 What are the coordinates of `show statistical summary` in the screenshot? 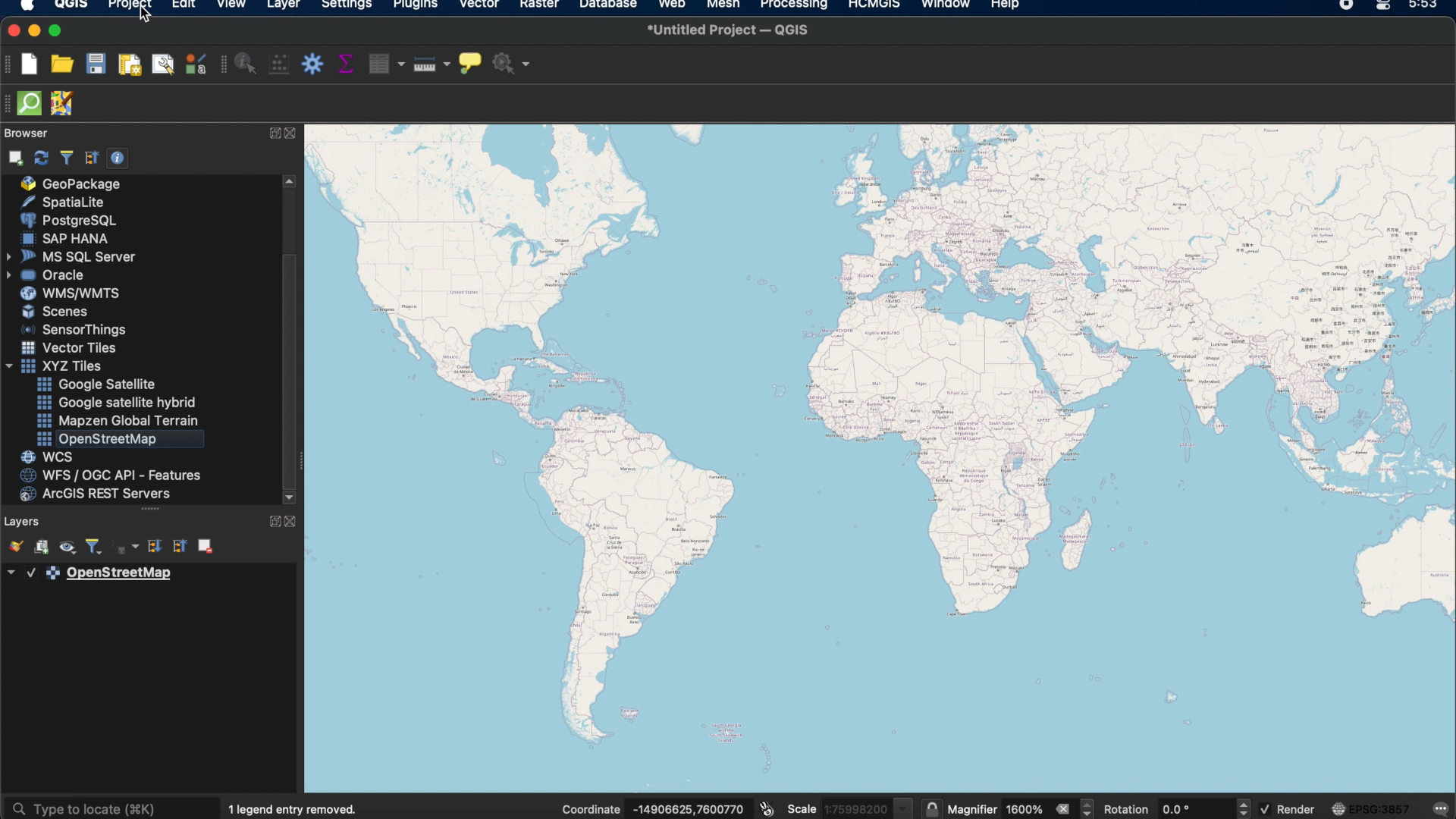 It's located at (345, 61).